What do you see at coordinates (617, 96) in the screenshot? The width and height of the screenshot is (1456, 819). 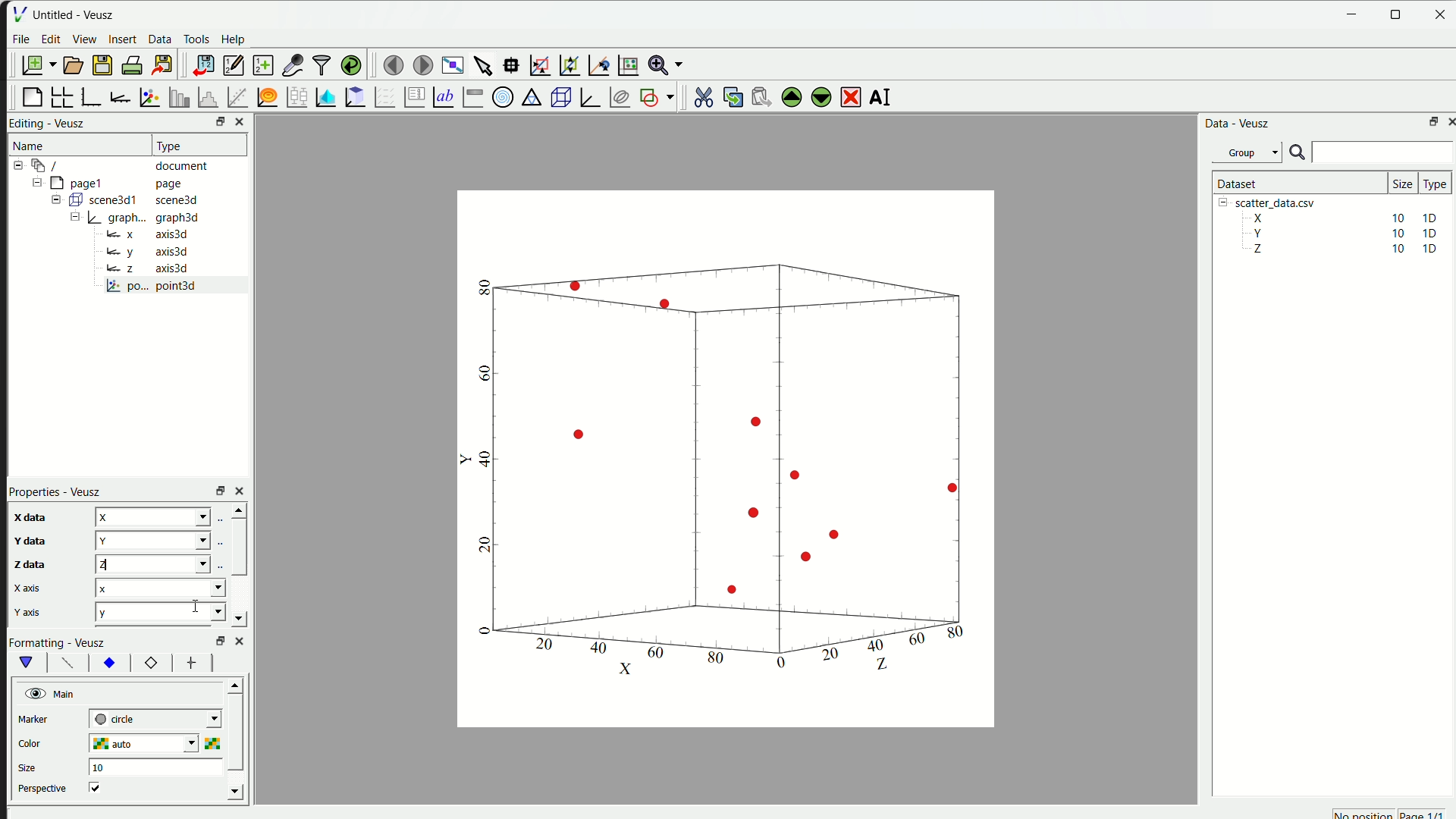 I see `plot covariance ellipses` at bounding box center [617, 96].